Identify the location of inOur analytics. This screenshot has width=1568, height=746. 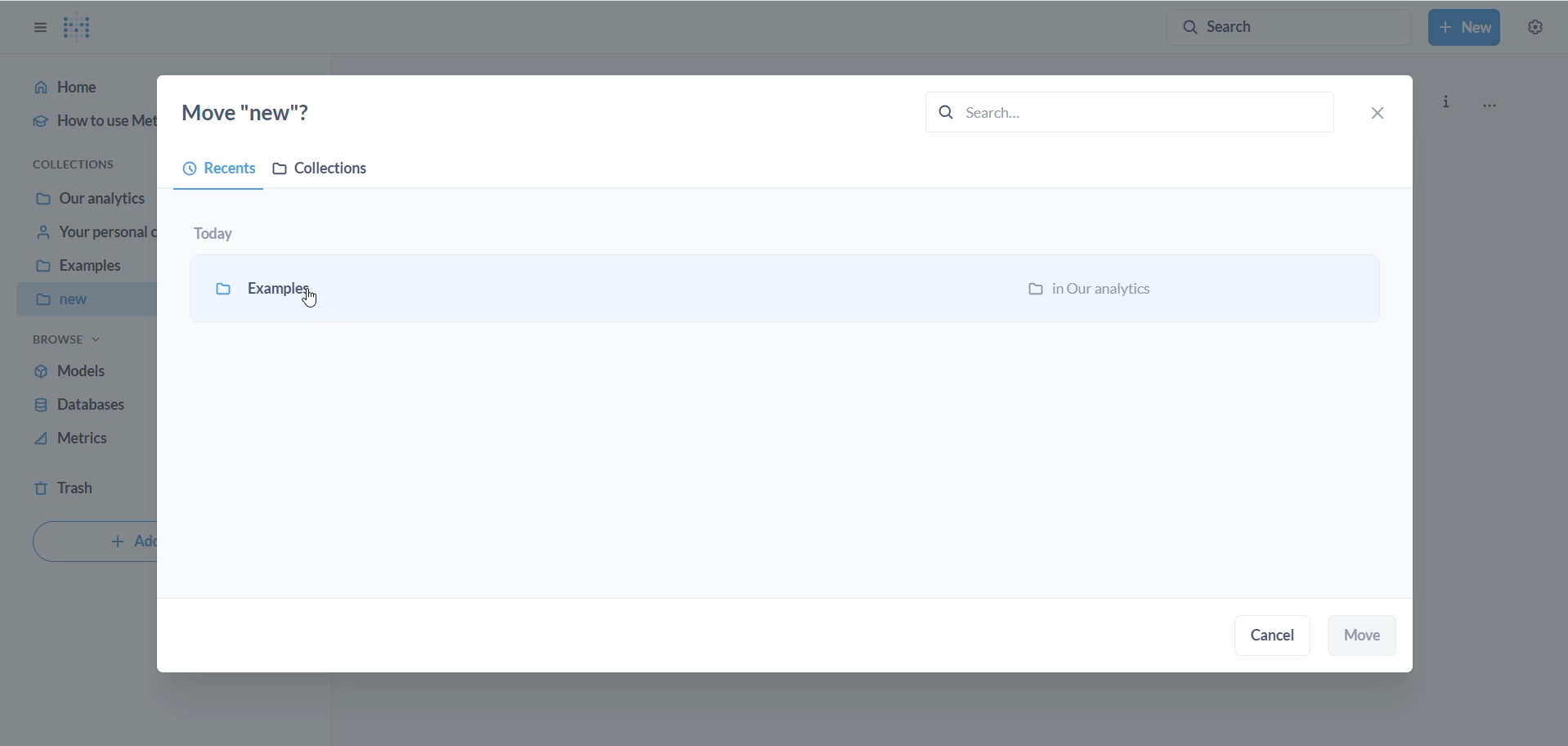
(1097, 291).